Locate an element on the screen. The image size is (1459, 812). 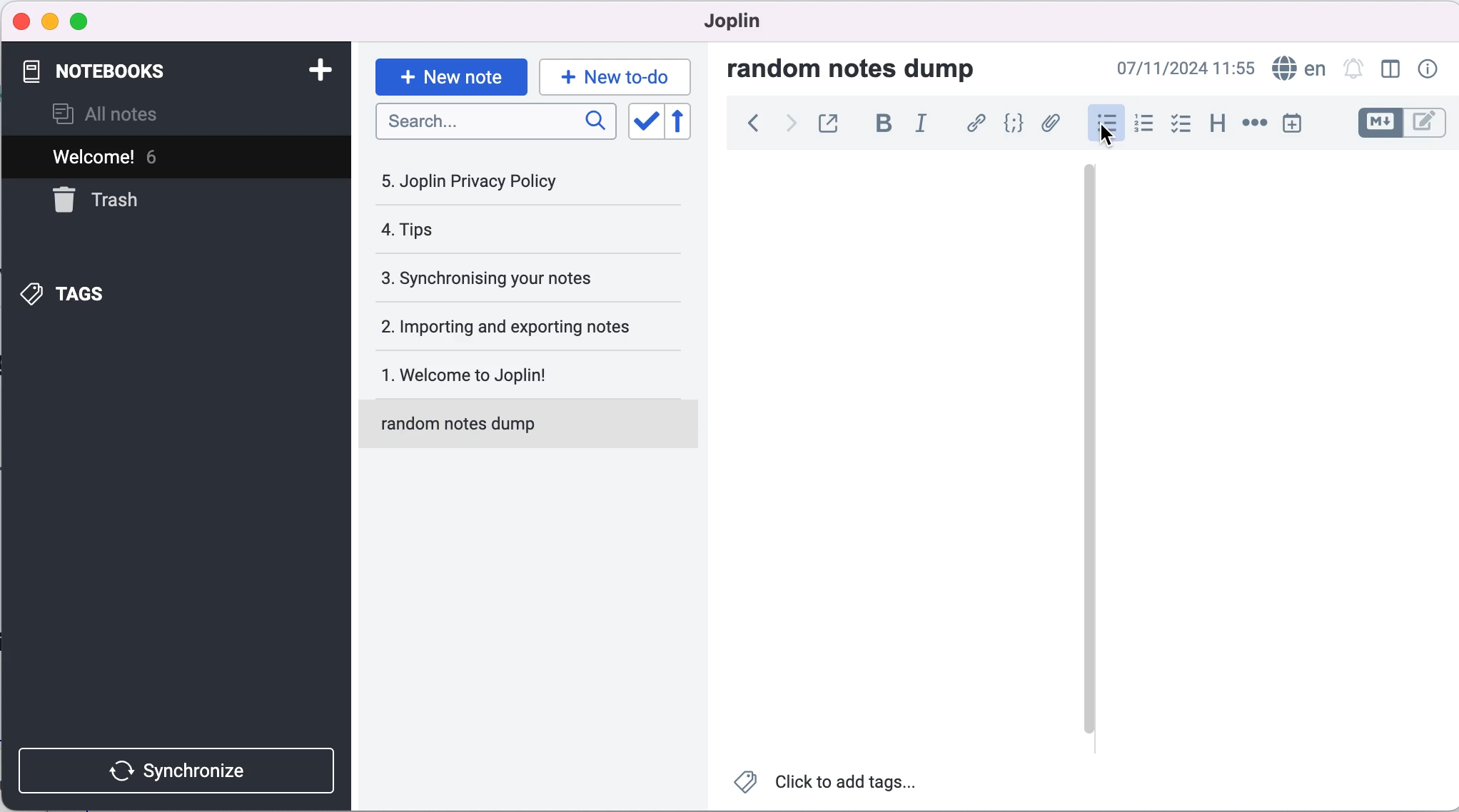
notebooks is located at coordinates (141, 72).